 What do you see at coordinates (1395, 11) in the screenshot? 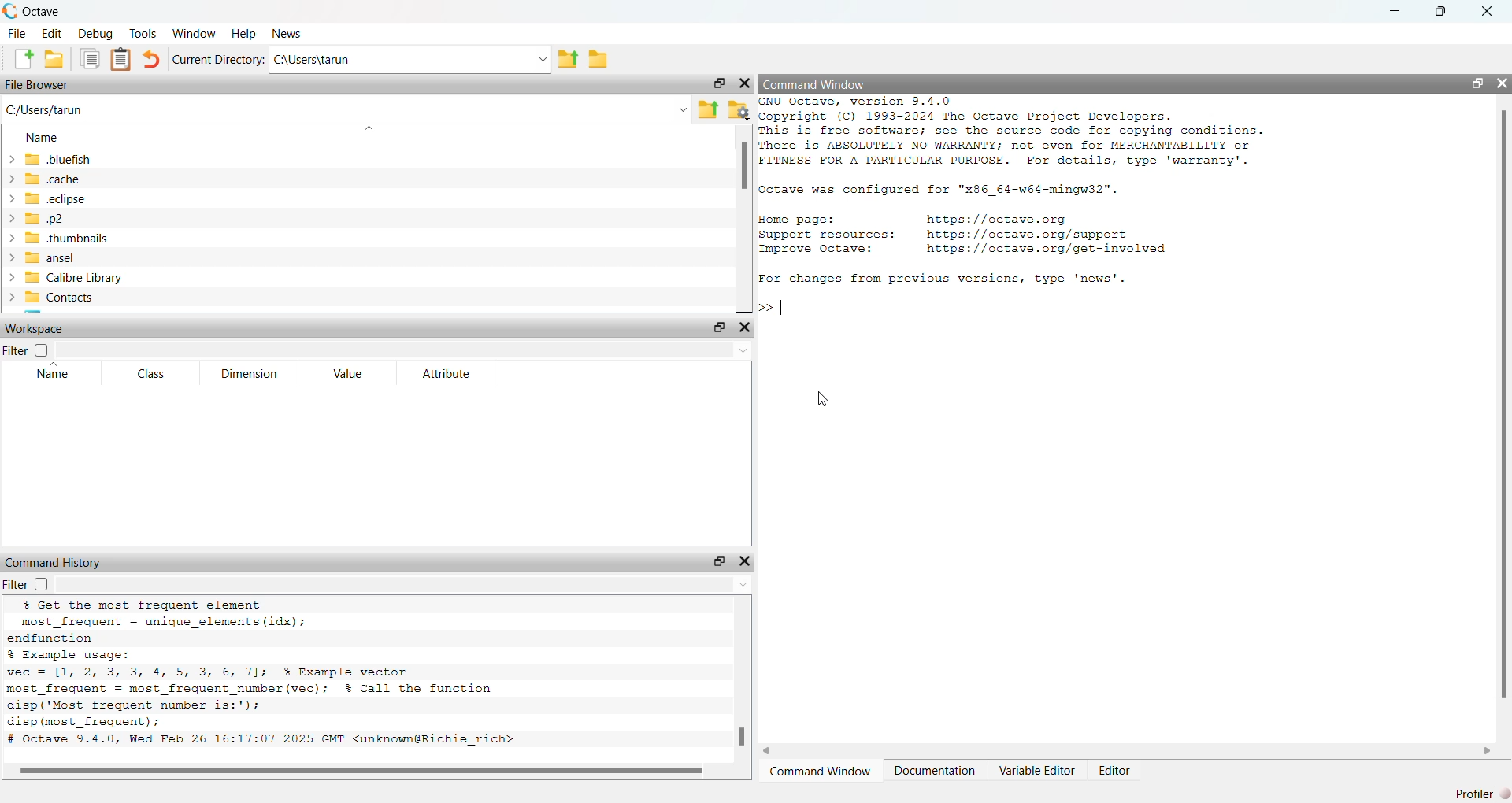
I see `minimize` at bounding box center [1395, 11].